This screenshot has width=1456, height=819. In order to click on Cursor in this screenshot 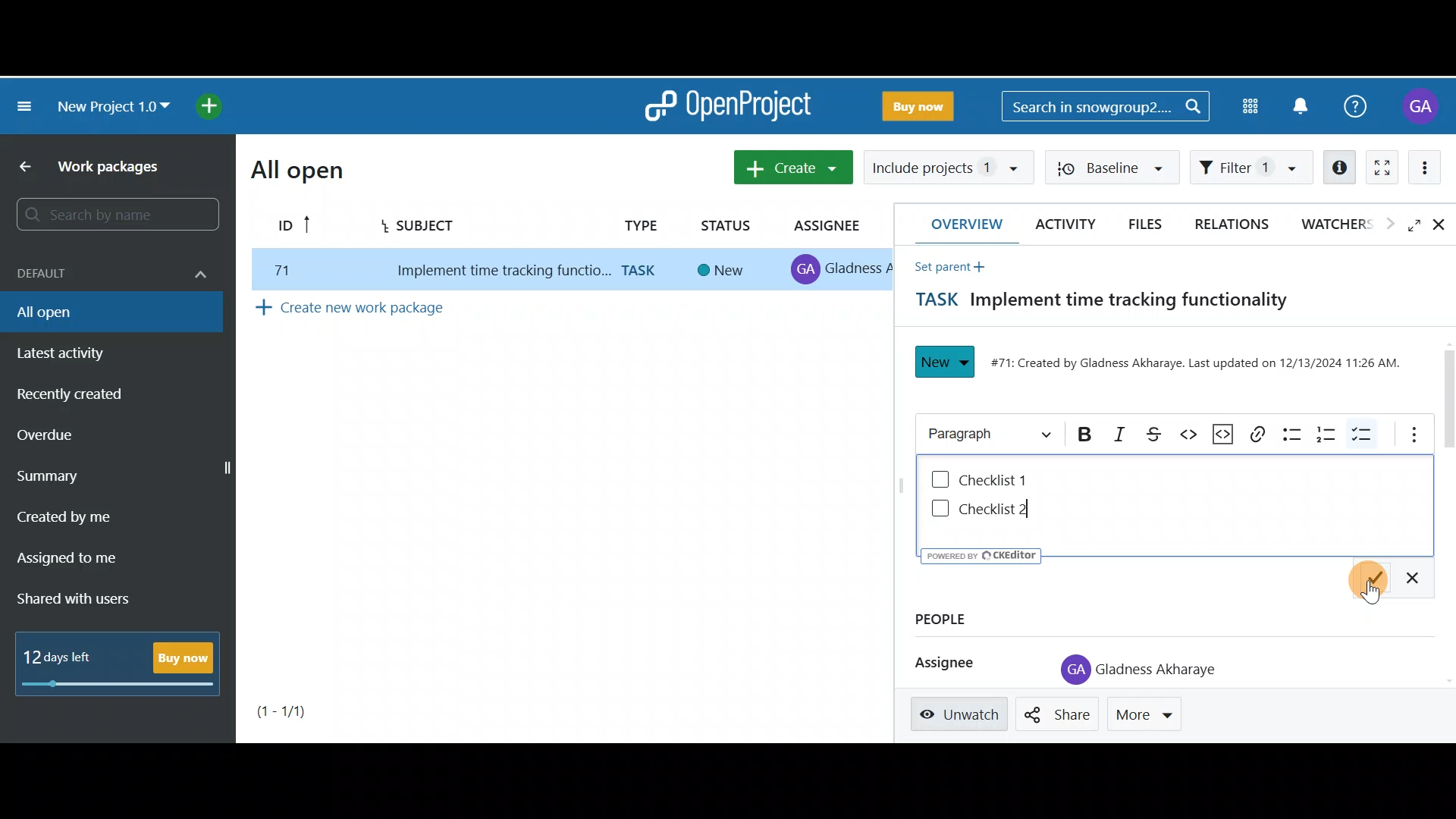, I will do `click(1370, 594)`.